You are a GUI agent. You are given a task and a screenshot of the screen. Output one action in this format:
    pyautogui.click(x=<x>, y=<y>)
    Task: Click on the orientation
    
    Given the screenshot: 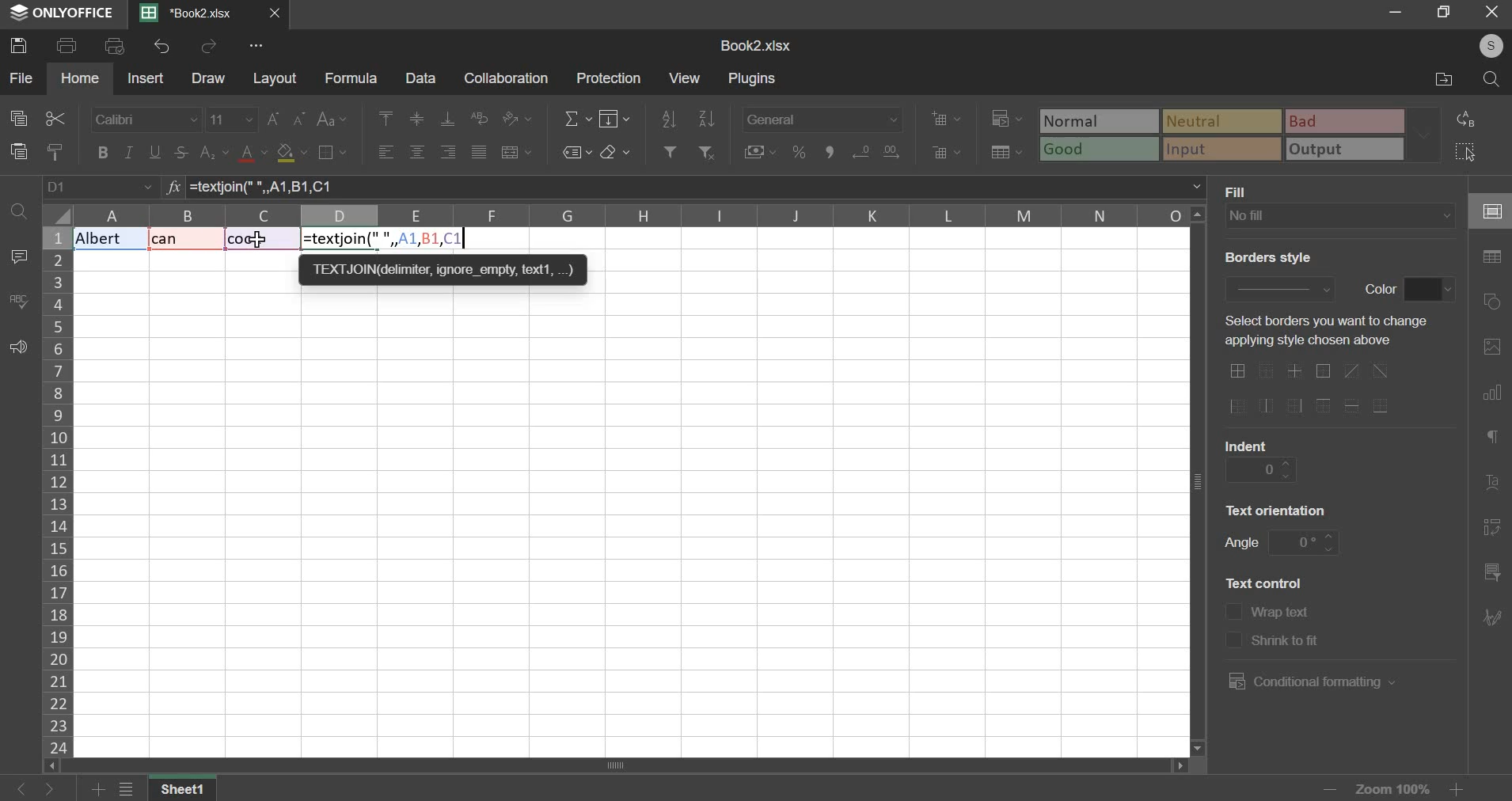 What is the action you would take?
    pyautogui.click(x=517, y=118)
    